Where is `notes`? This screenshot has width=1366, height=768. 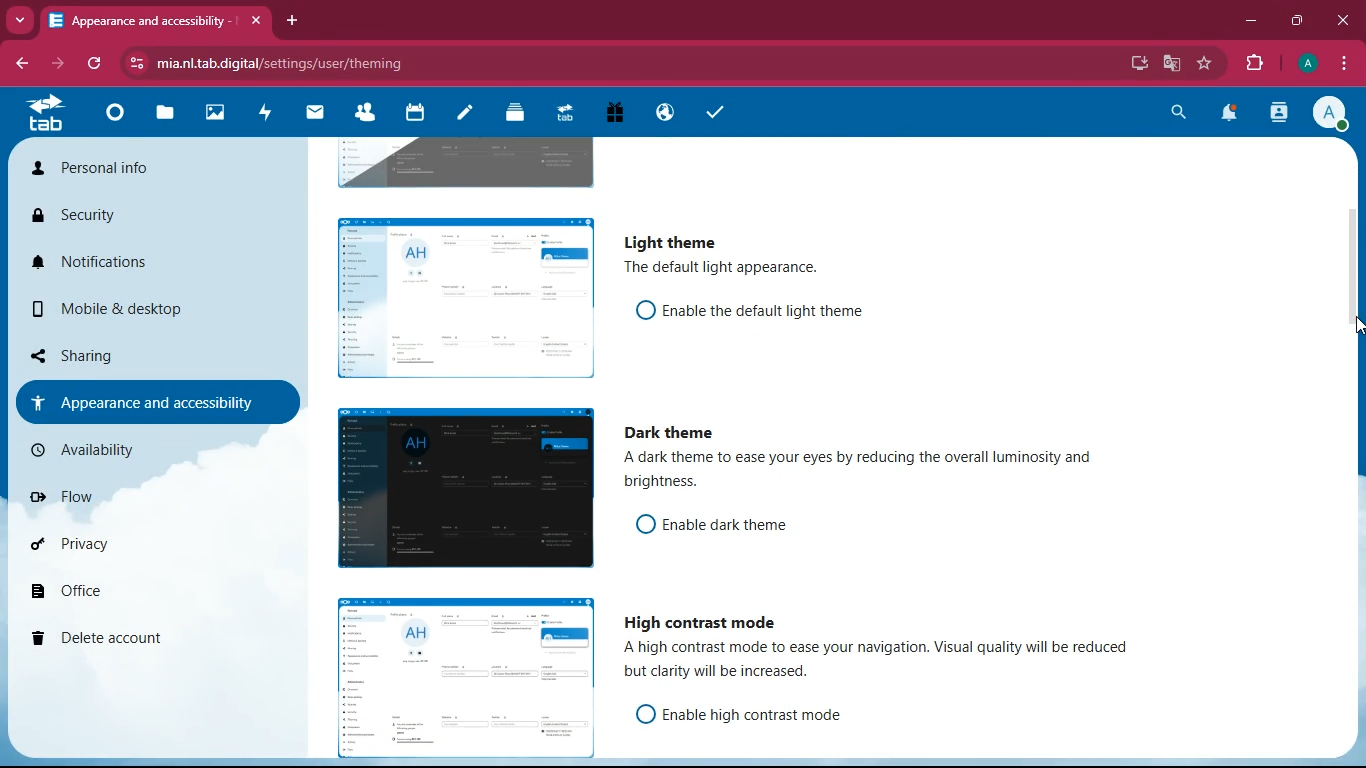 notes is located at coordinates (461, 115).